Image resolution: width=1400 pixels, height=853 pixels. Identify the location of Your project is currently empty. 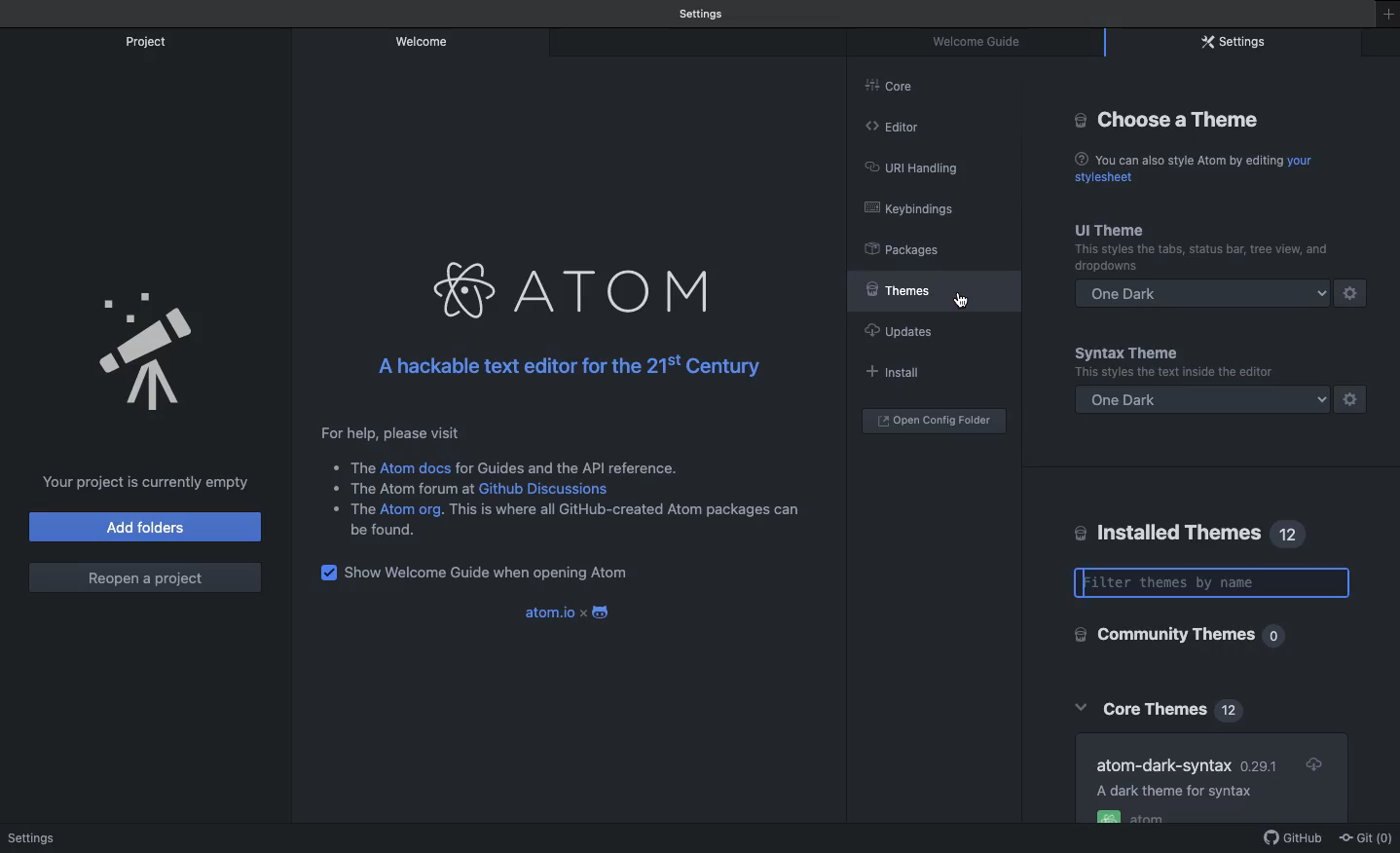
(143, 480).